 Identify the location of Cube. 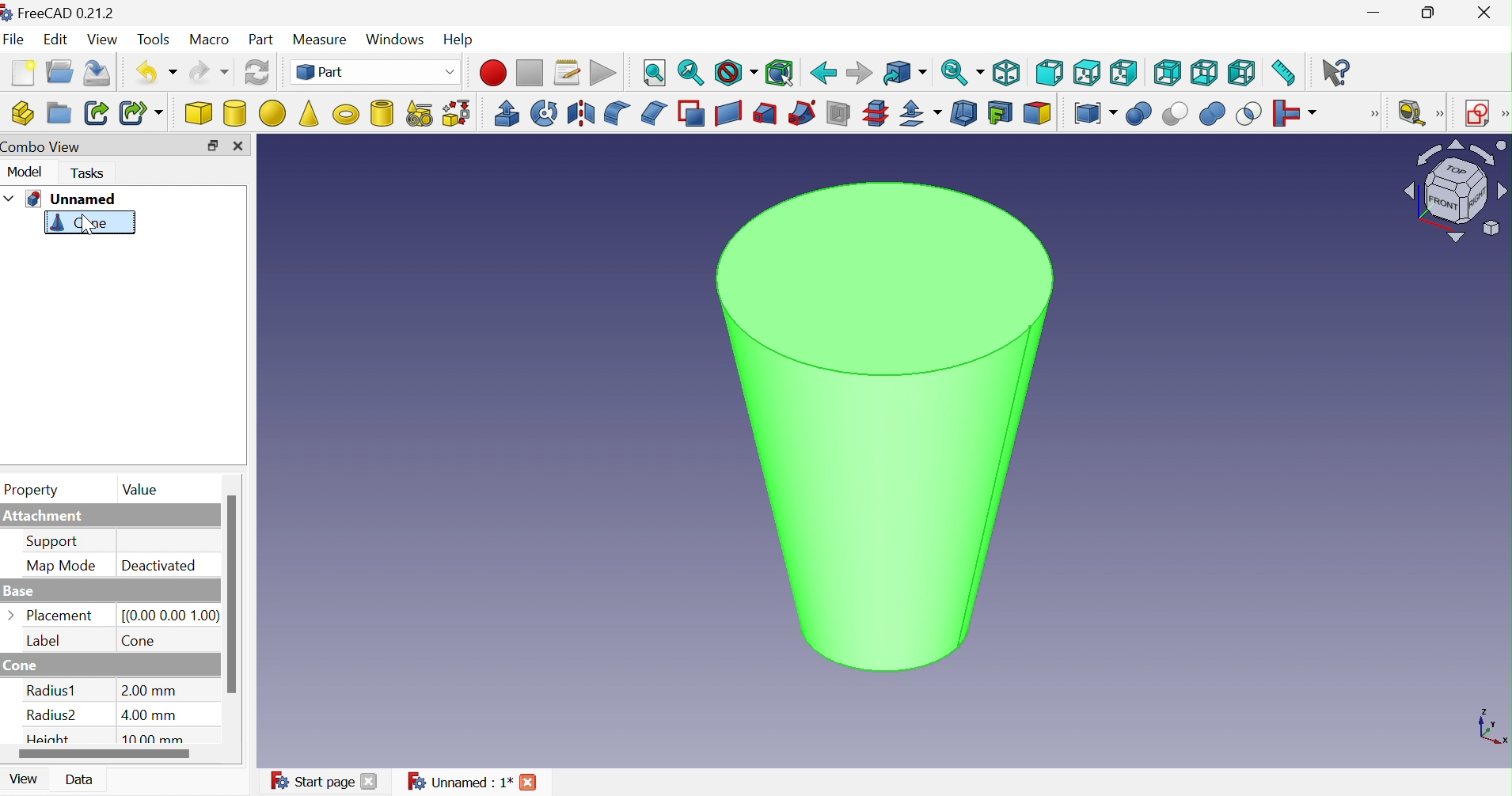
(199, 115).